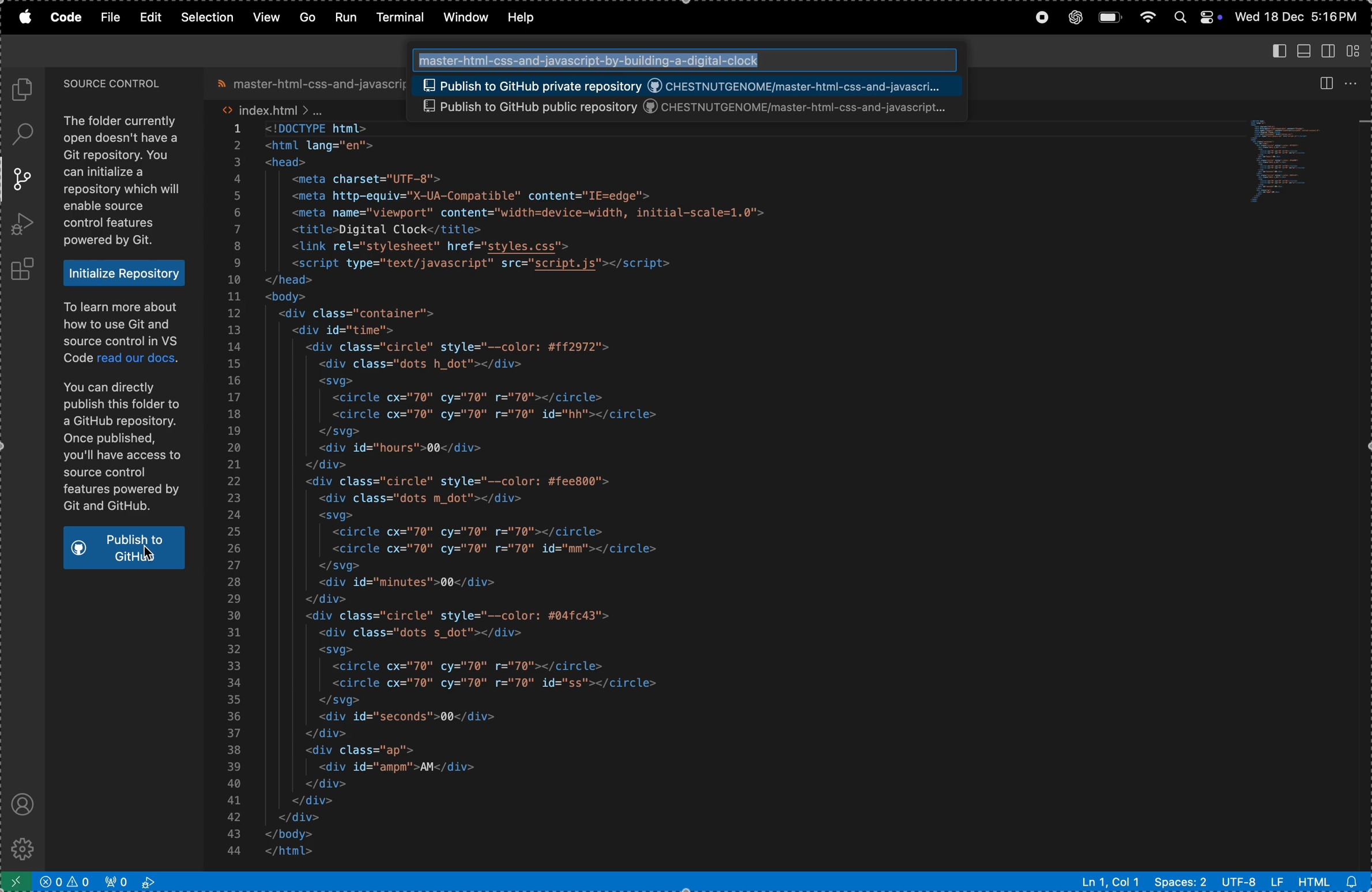 Image resolution: width=1372 pixels, height=892 pixels. I want to click on file, so click(112, 17).